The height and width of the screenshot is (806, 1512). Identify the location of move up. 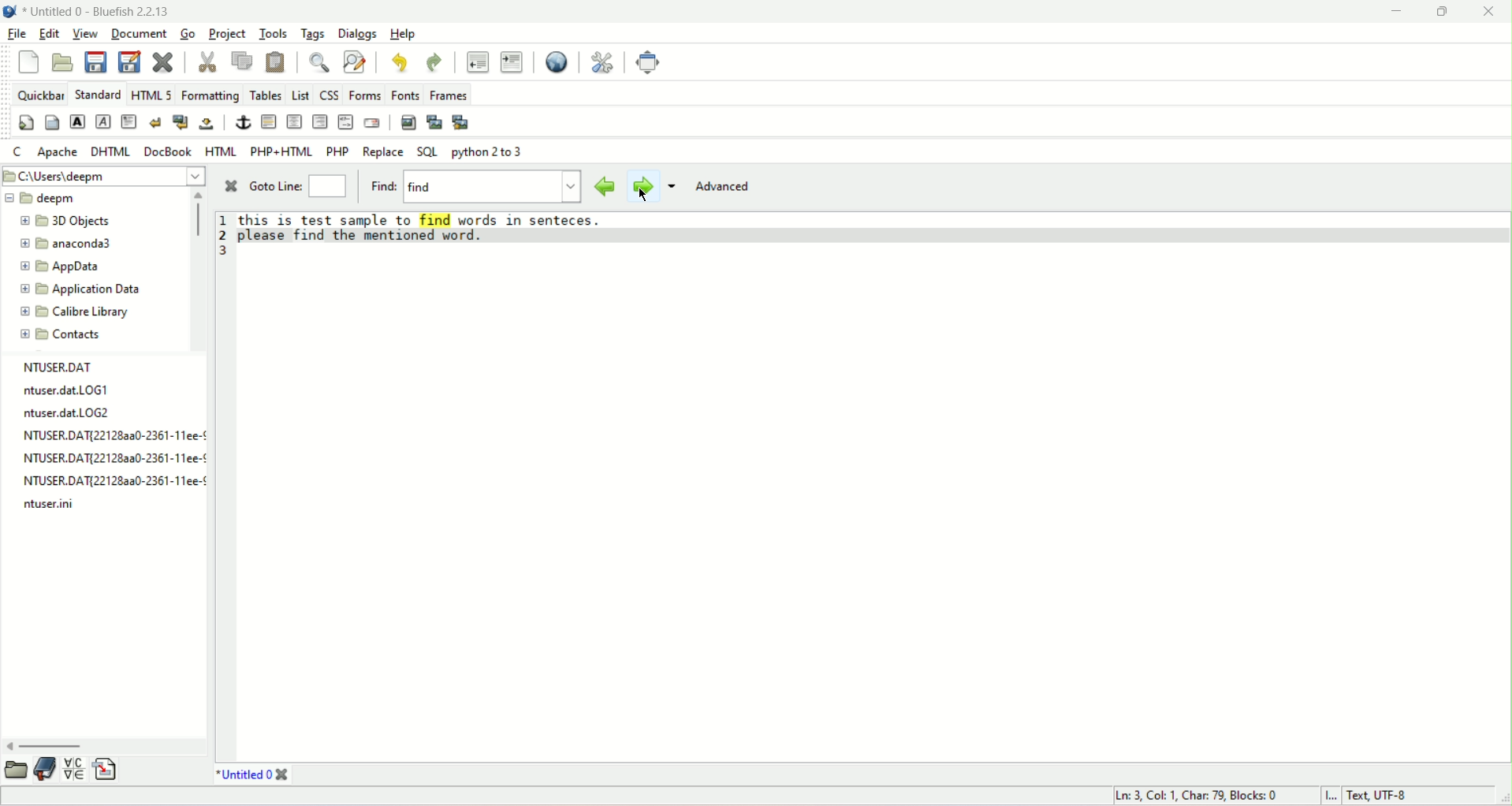
(200, 195).